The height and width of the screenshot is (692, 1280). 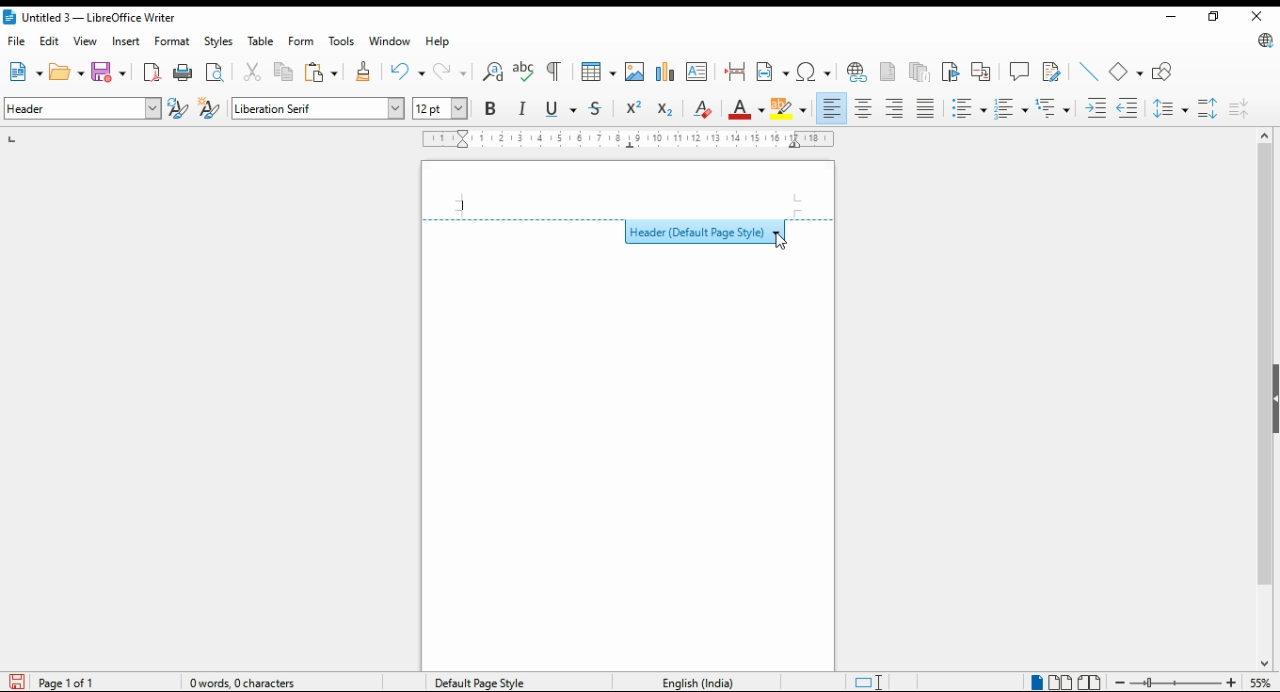 What do you see at coordinates (1239, 108) in the screenshot?
I see `decrease paragraph spacing` at bounding box center [1239, 108].